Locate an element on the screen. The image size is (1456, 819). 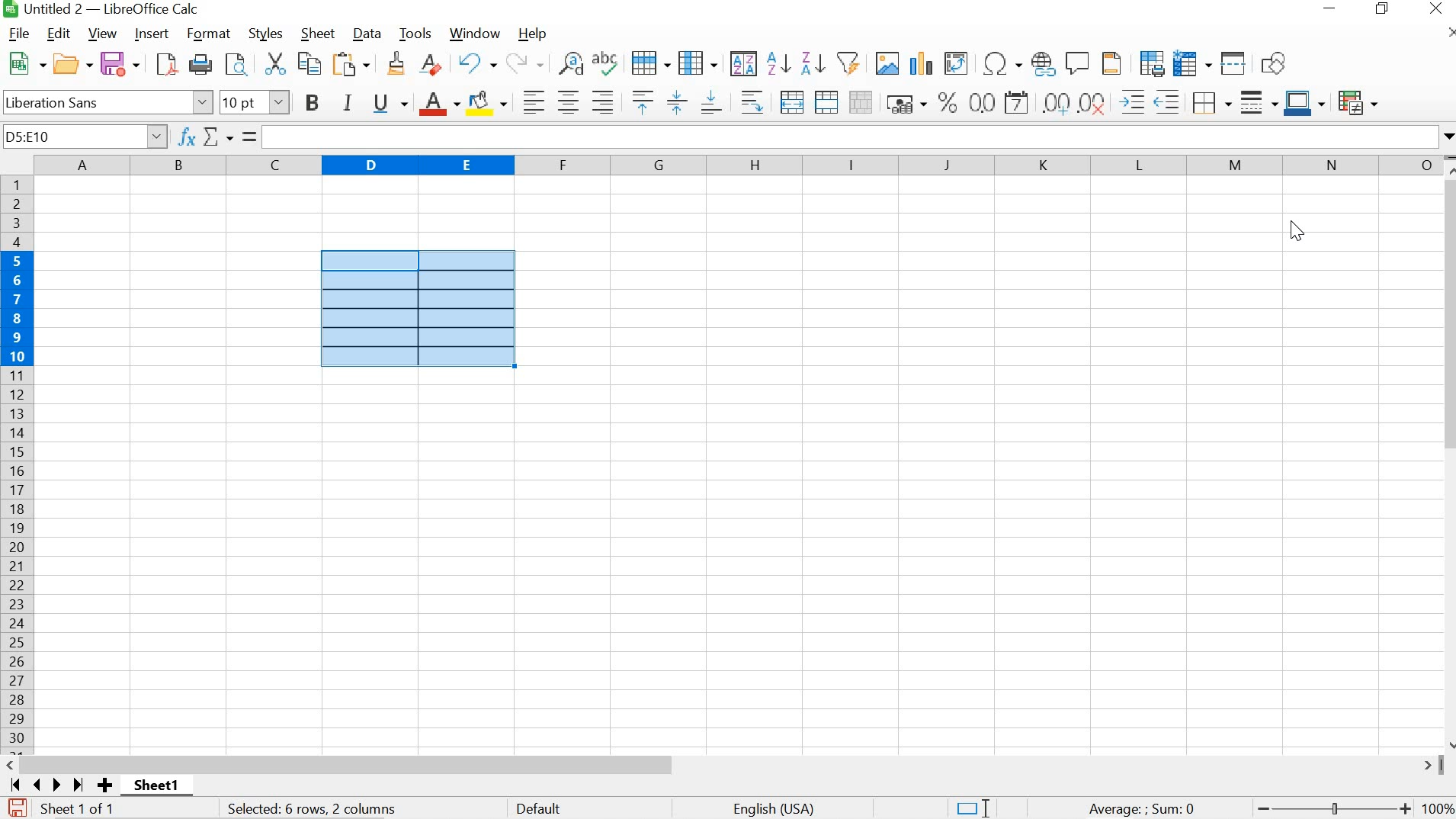
FORMAT AS PERCENT is located at coordinates (947, 103).